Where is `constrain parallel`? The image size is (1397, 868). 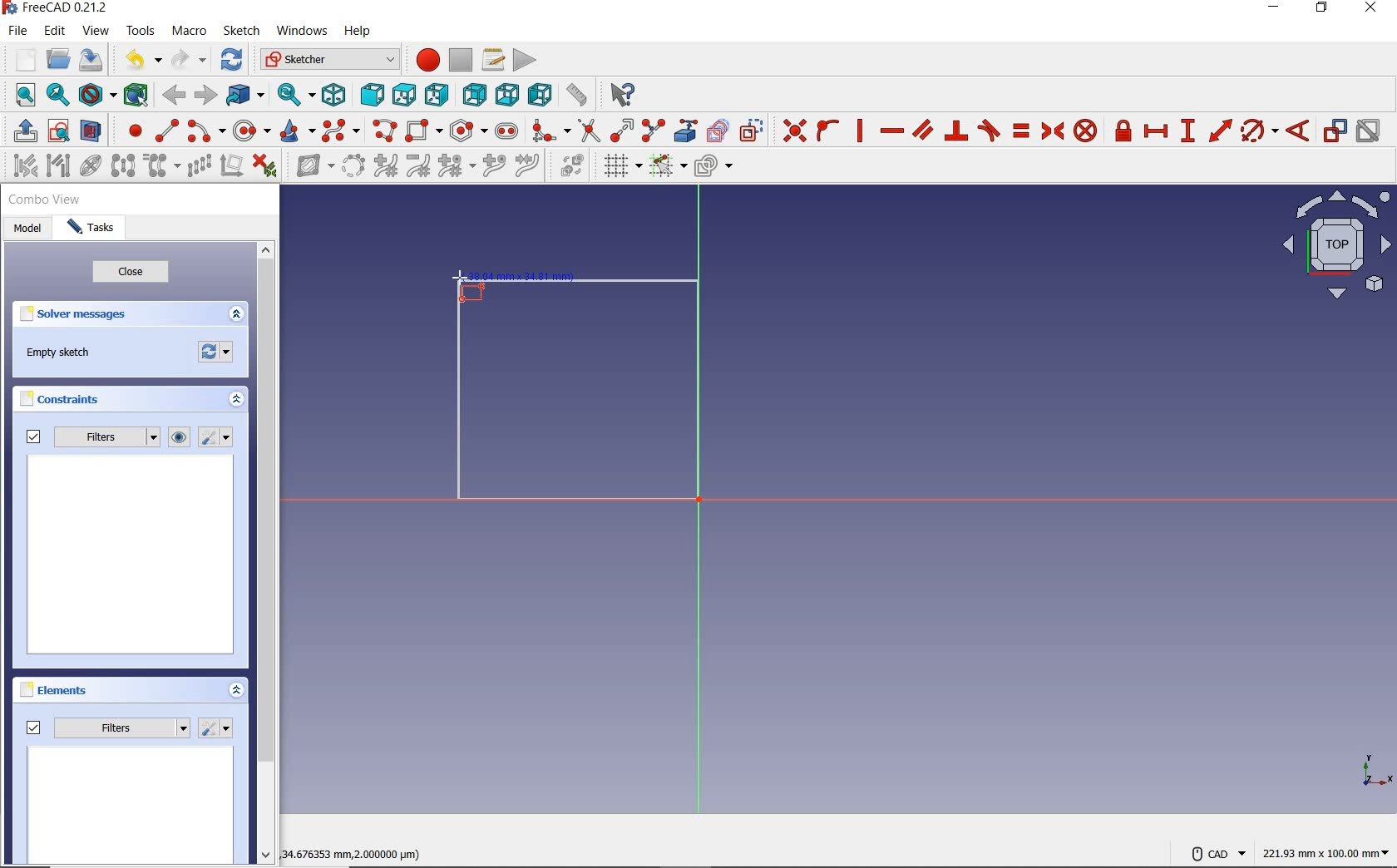
constrain parallel is located at coordinates (923, 130).